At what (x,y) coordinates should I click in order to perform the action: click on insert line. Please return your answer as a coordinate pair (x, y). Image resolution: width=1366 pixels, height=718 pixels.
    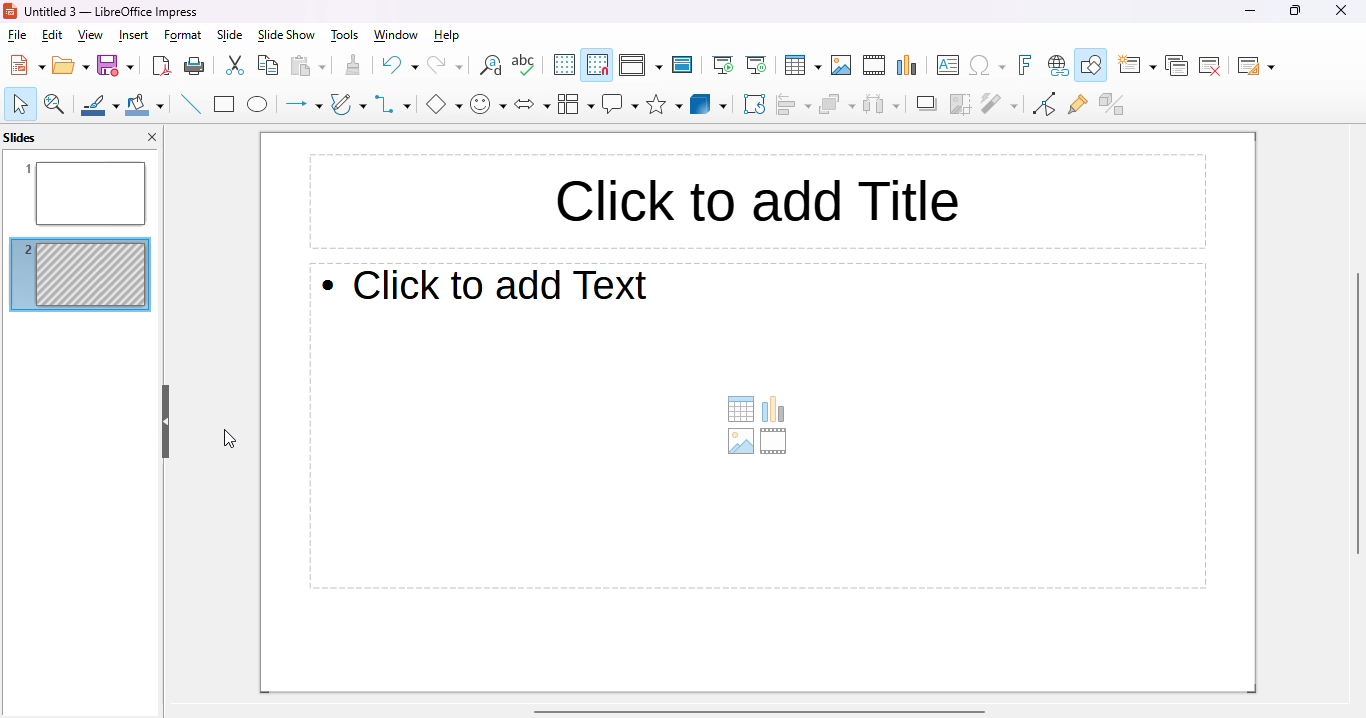
    Looking at the image, I should click on (191, 104).